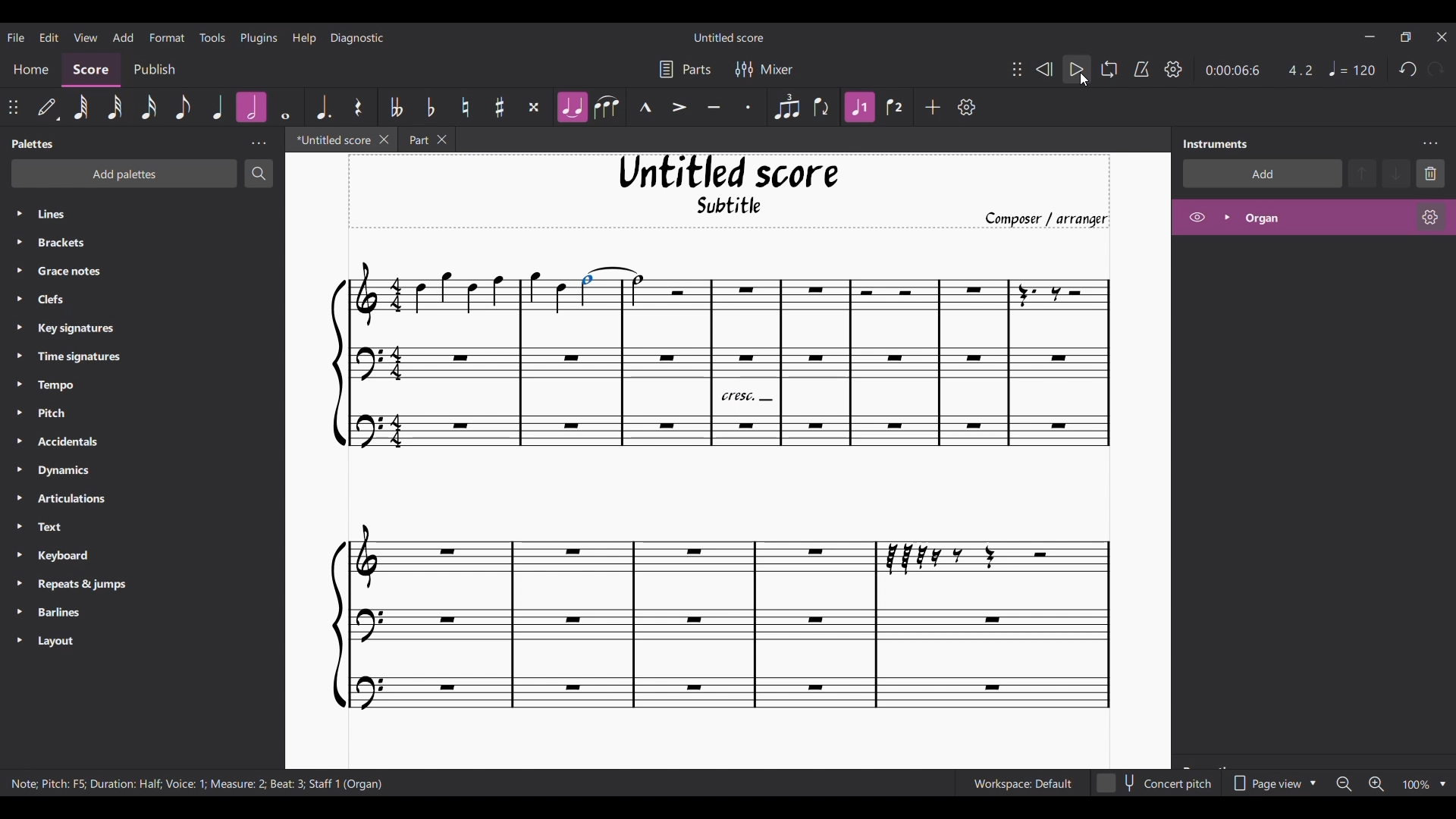  What do you see at coordinates (729, 191) in the screenshot?
I see `Title, sub-title, and composer name` at bounding box center [729, 191].